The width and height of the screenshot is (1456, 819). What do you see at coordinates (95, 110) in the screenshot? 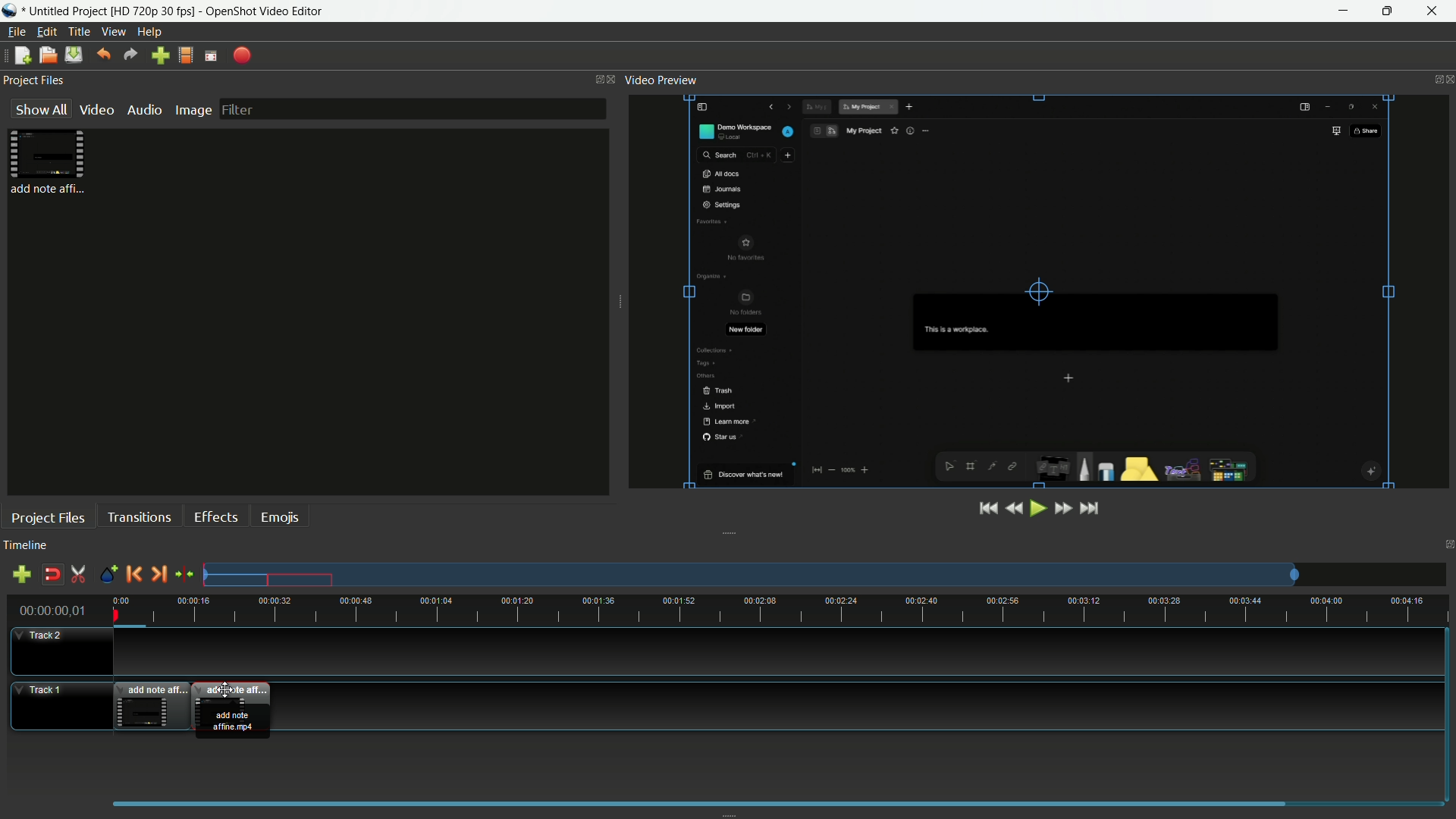
I see `video` at bounding box center [95, 110].